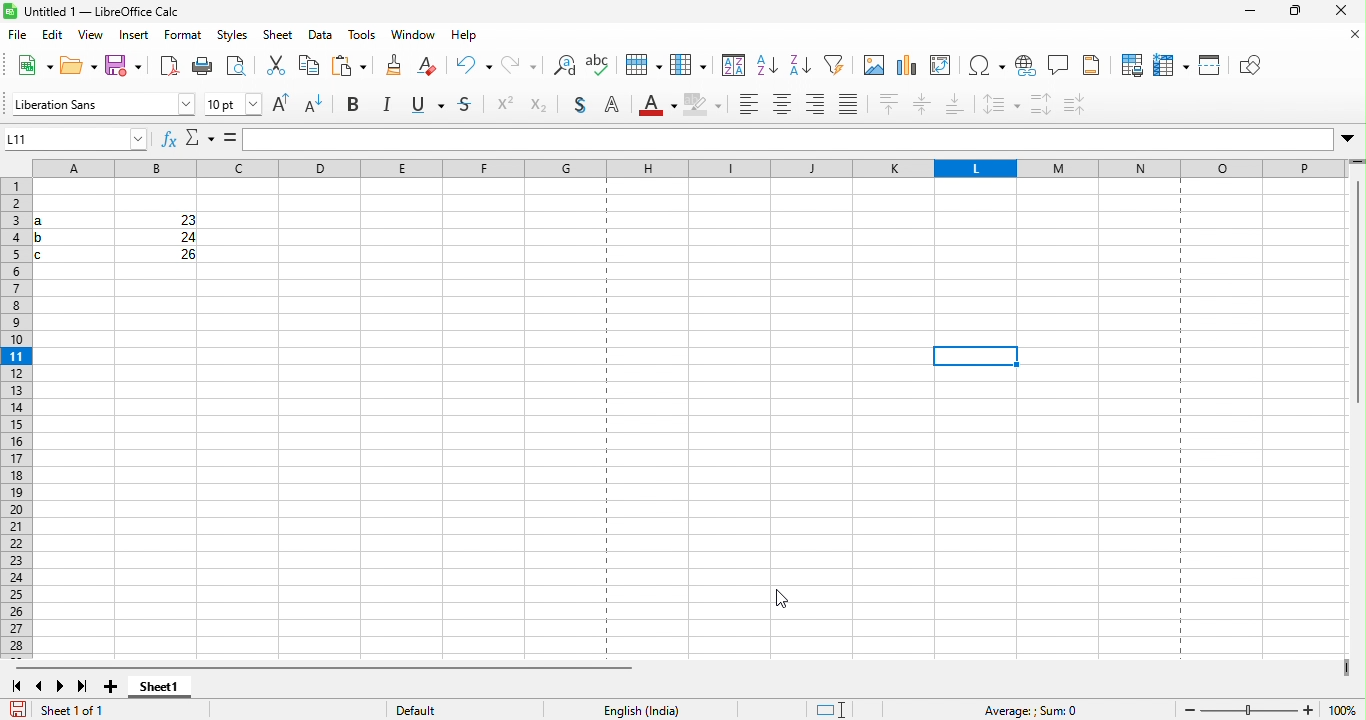 This screenshot has height=720, width=1366. What do you see at coordinates (788, 602) in the screenshot?
I see `cursor` at bounding box center [788, 602].